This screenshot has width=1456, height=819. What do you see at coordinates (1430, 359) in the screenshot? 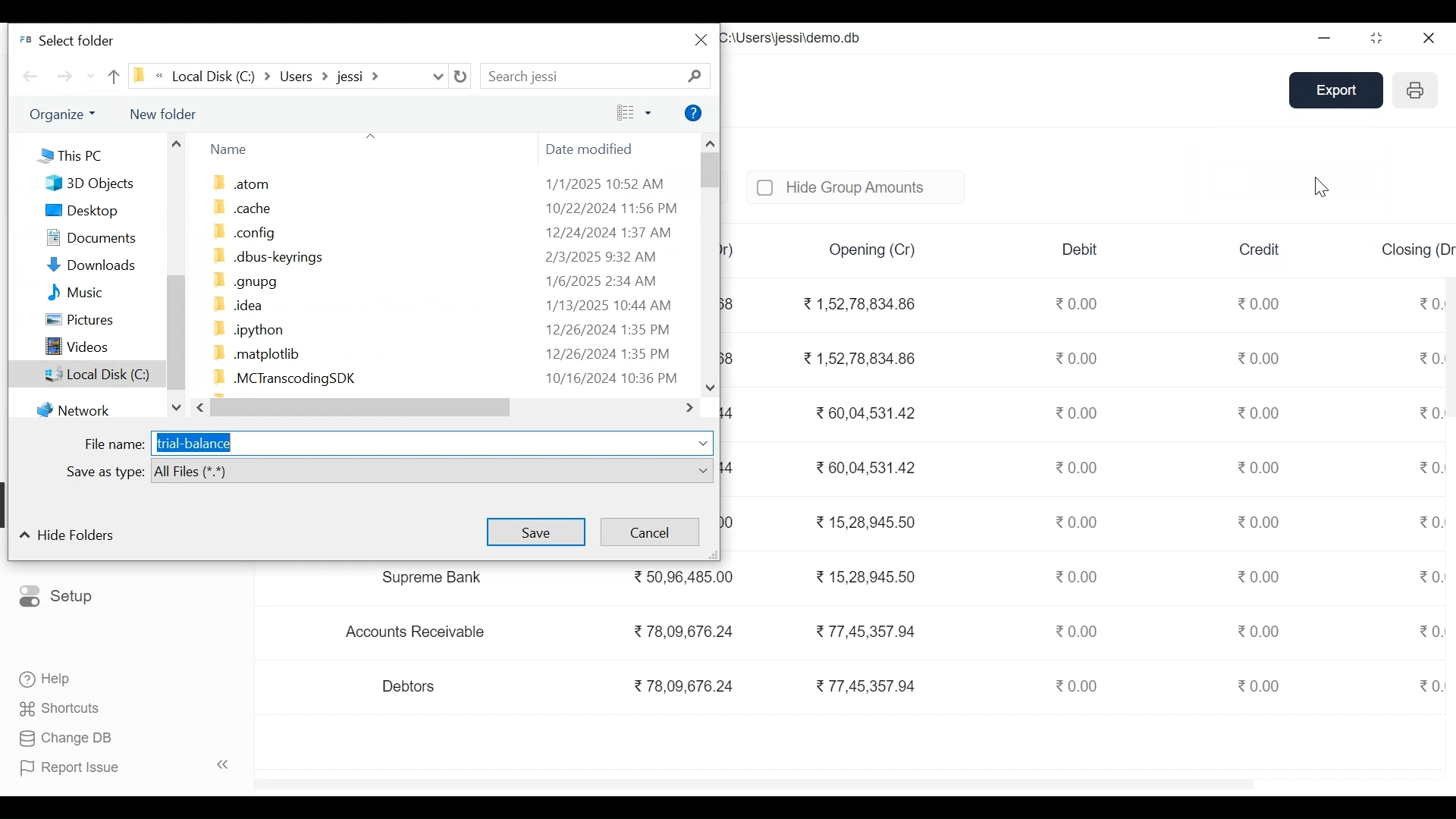
I see `0.00` at bounding box center [1430, 359].